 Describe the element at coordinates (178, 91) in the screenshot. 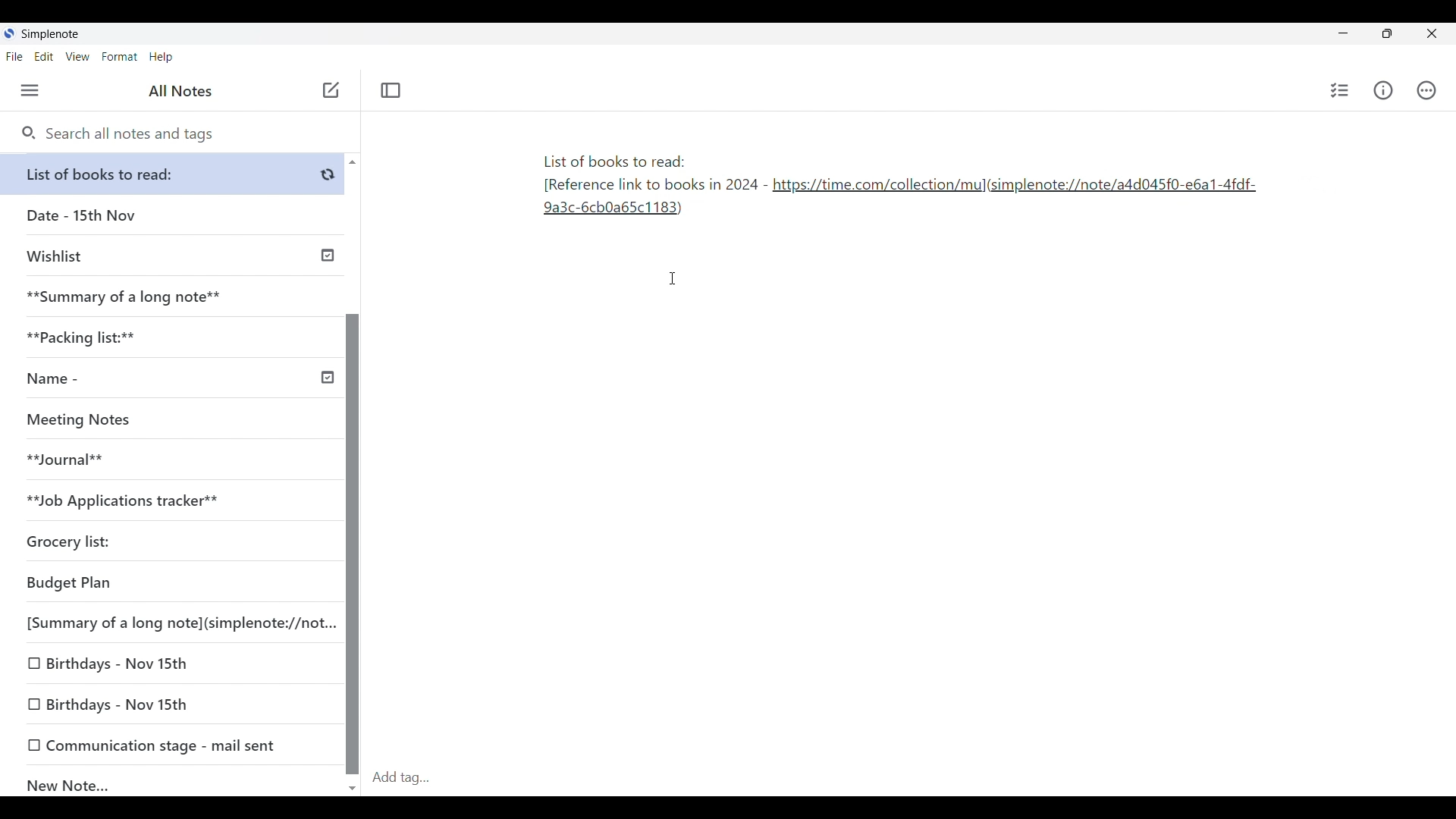

I see `All Notes` at that location.